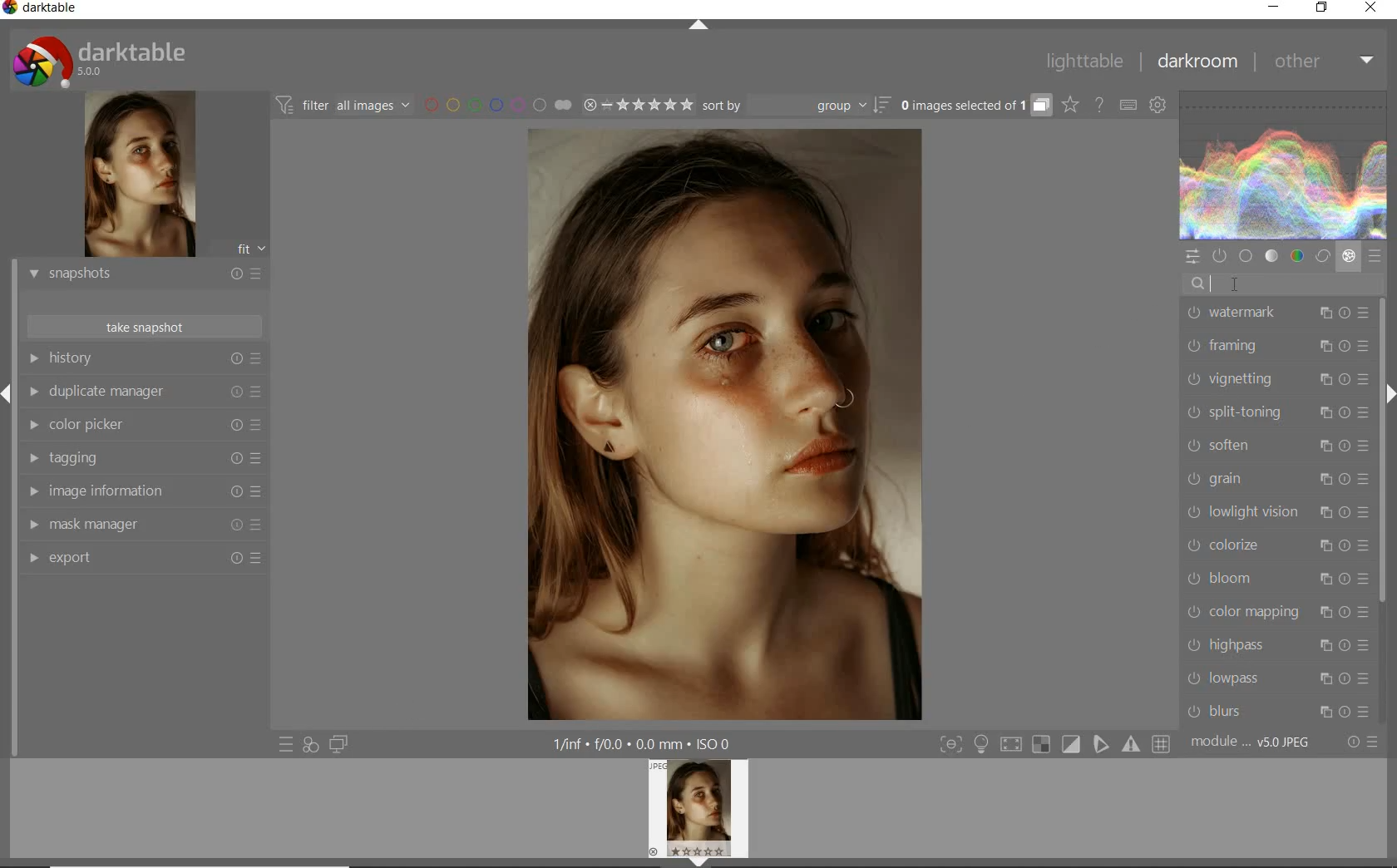 This screenshot has height=868, width=1397. Describe the element at coordinates (699, 28) in the screenshot. I see `expand/collapse` at that location.